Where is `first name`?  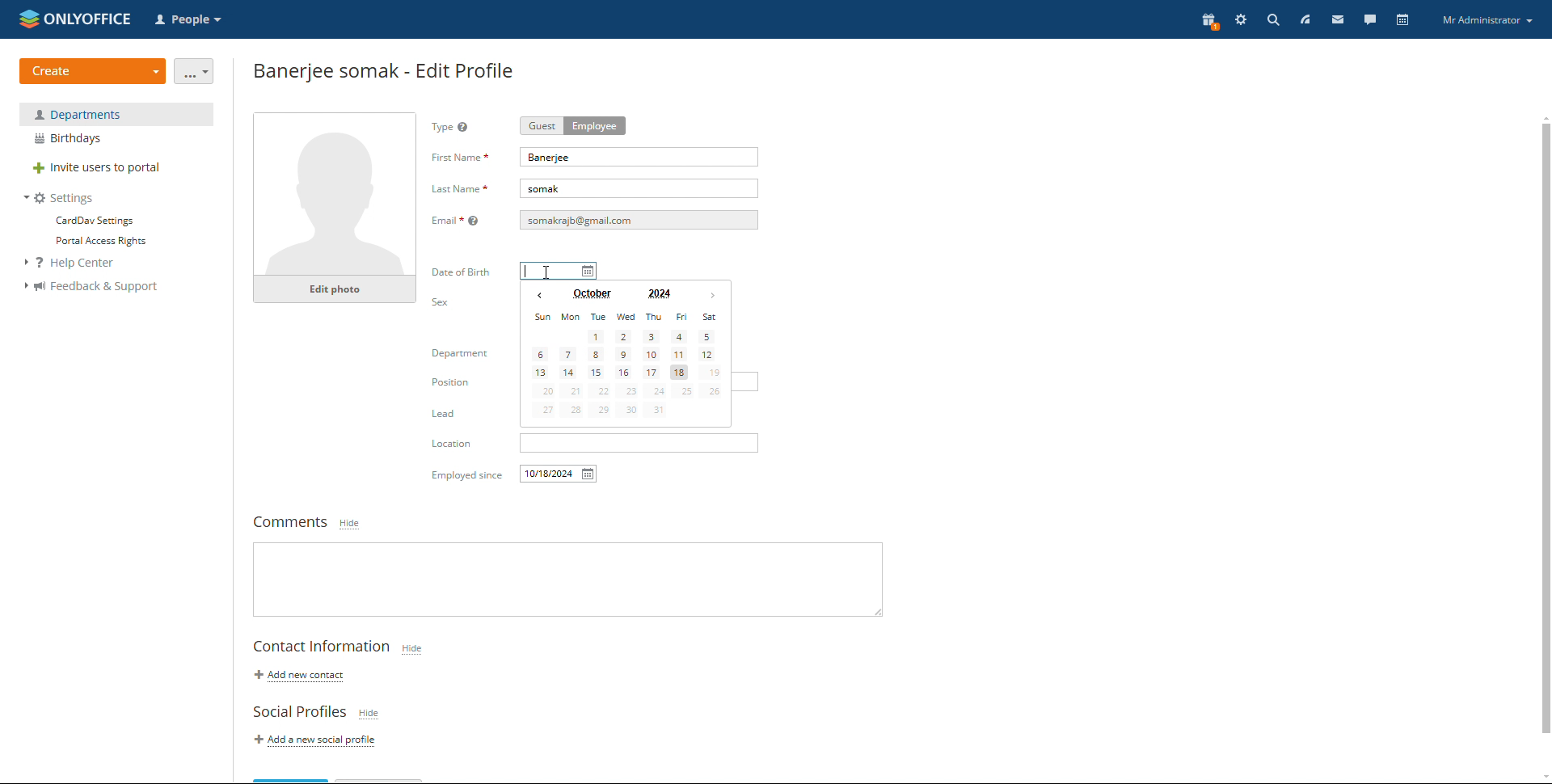 first name is located at coordinates (459, 157).